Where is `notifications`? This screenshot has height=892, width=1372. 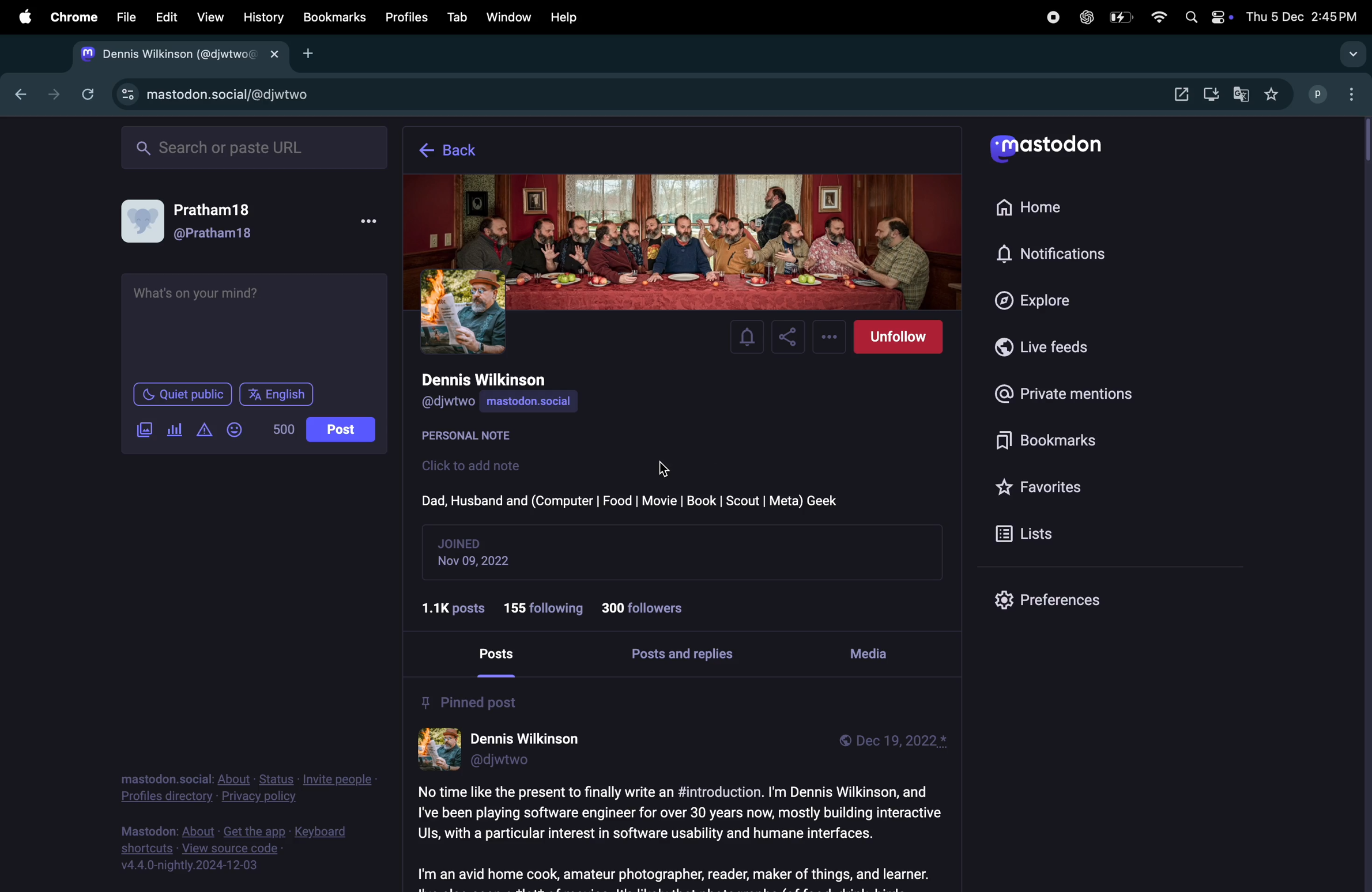
notifications is located at coordinates (1050, 254).